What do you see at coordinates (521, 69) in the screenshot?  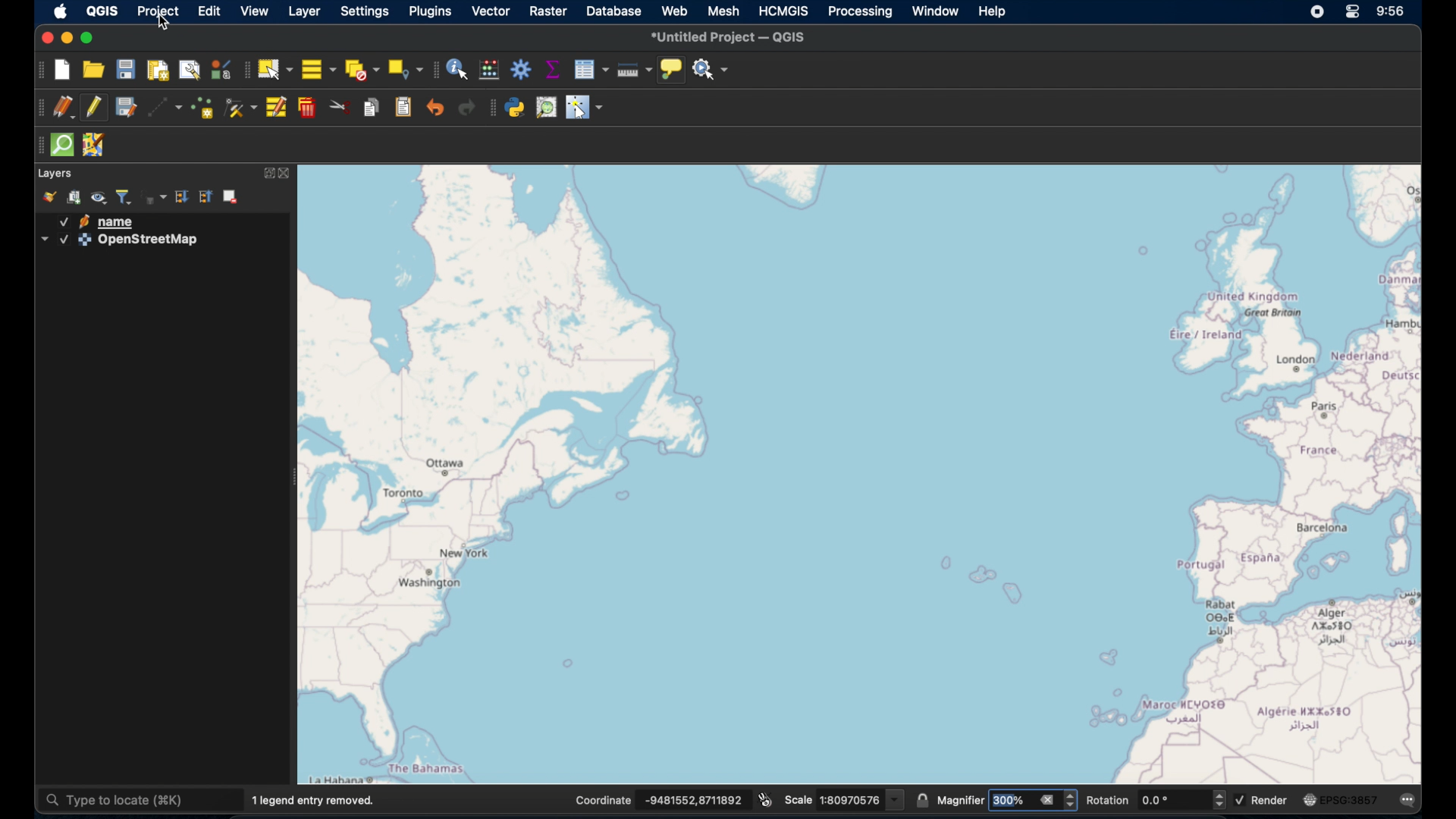 I see `toolbox` at bounding box center [521, 69].